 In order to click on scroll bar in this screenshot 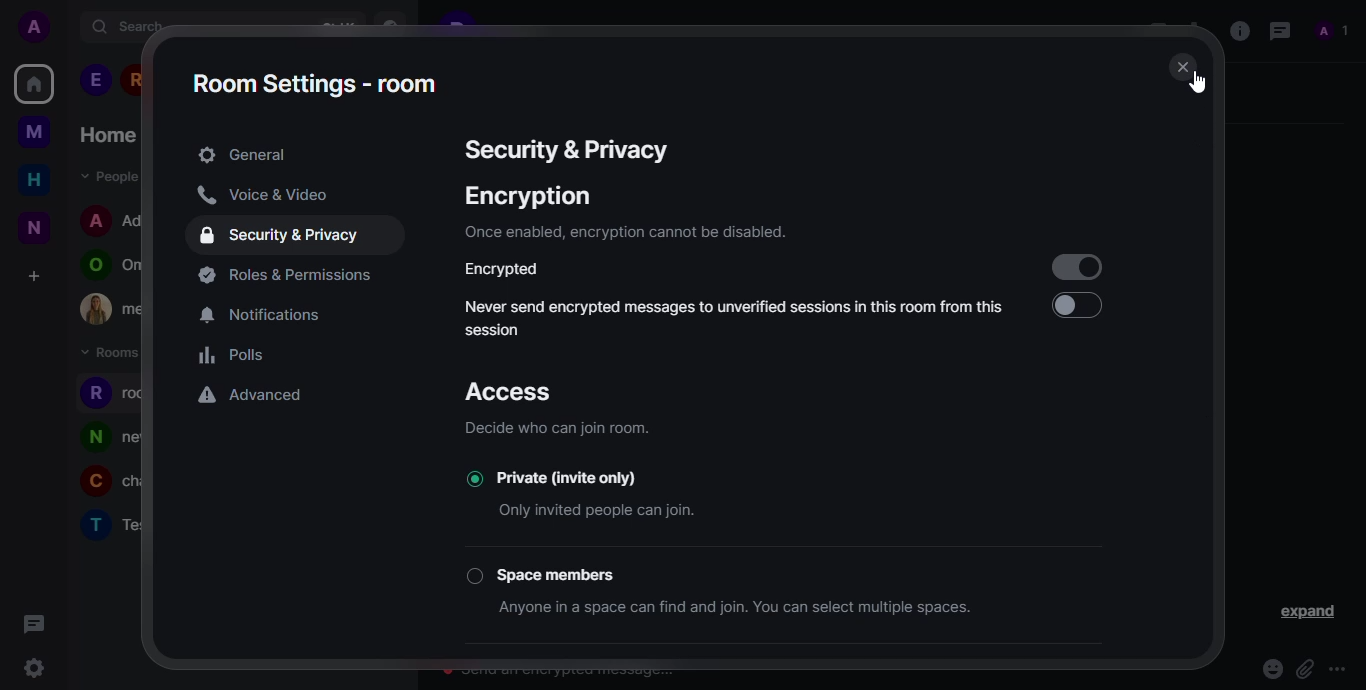, I will do `click(1212, 290)`.